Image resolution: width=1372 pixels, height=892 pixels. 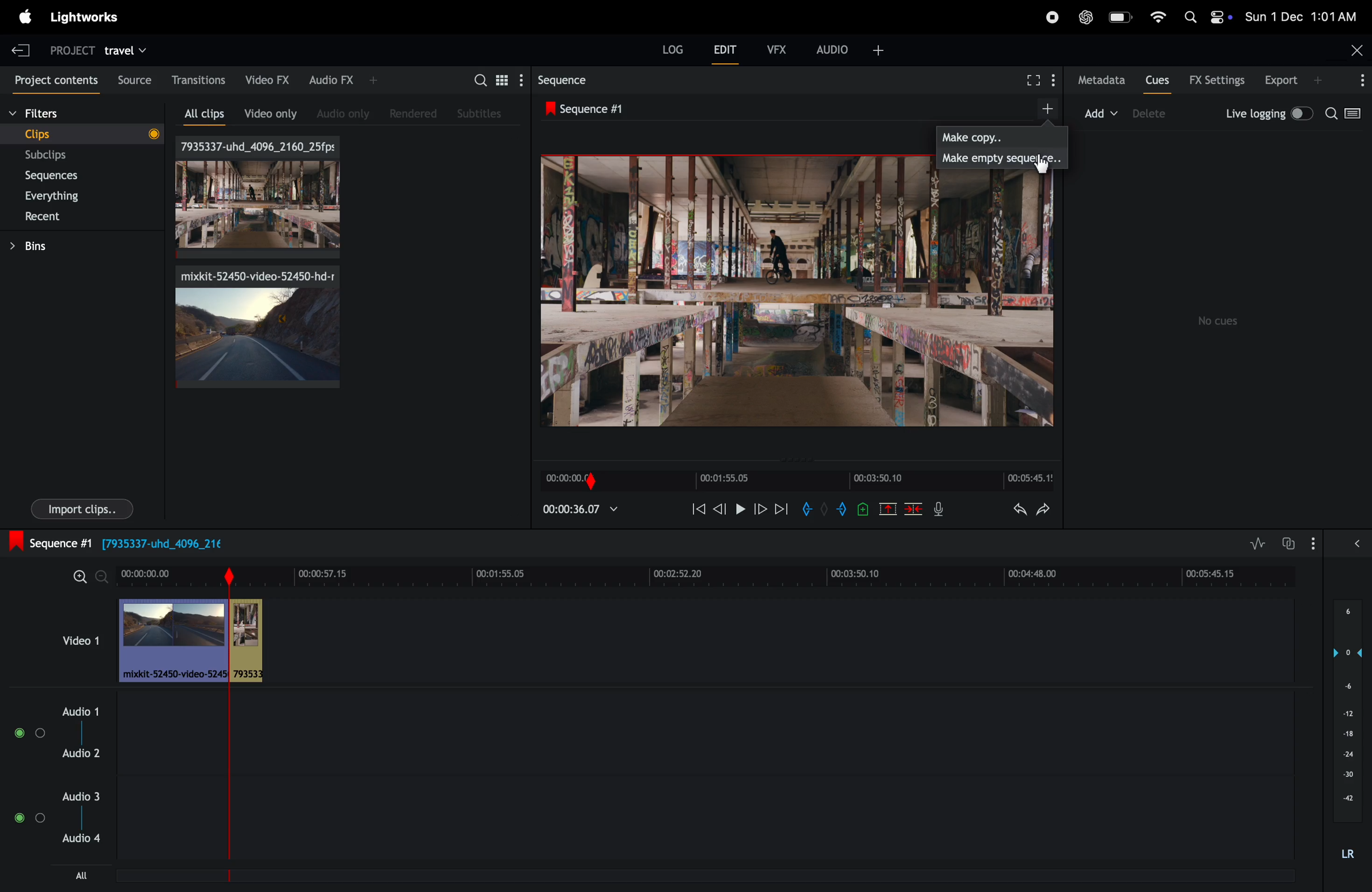 I want to click on recents, so click(x=86, y=217).